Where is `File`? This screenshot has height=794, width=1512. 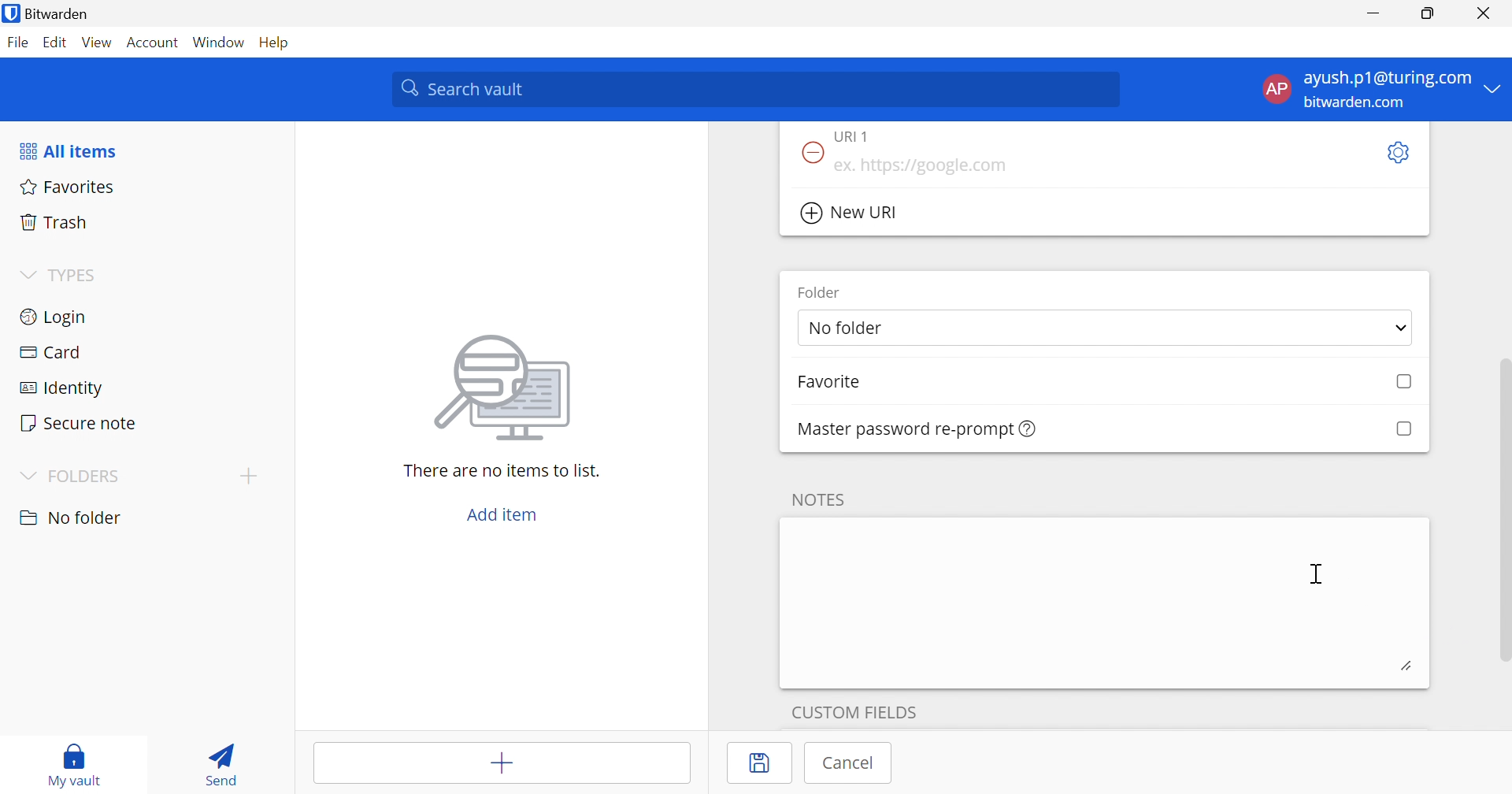
File is located at coordinates (17, 42).